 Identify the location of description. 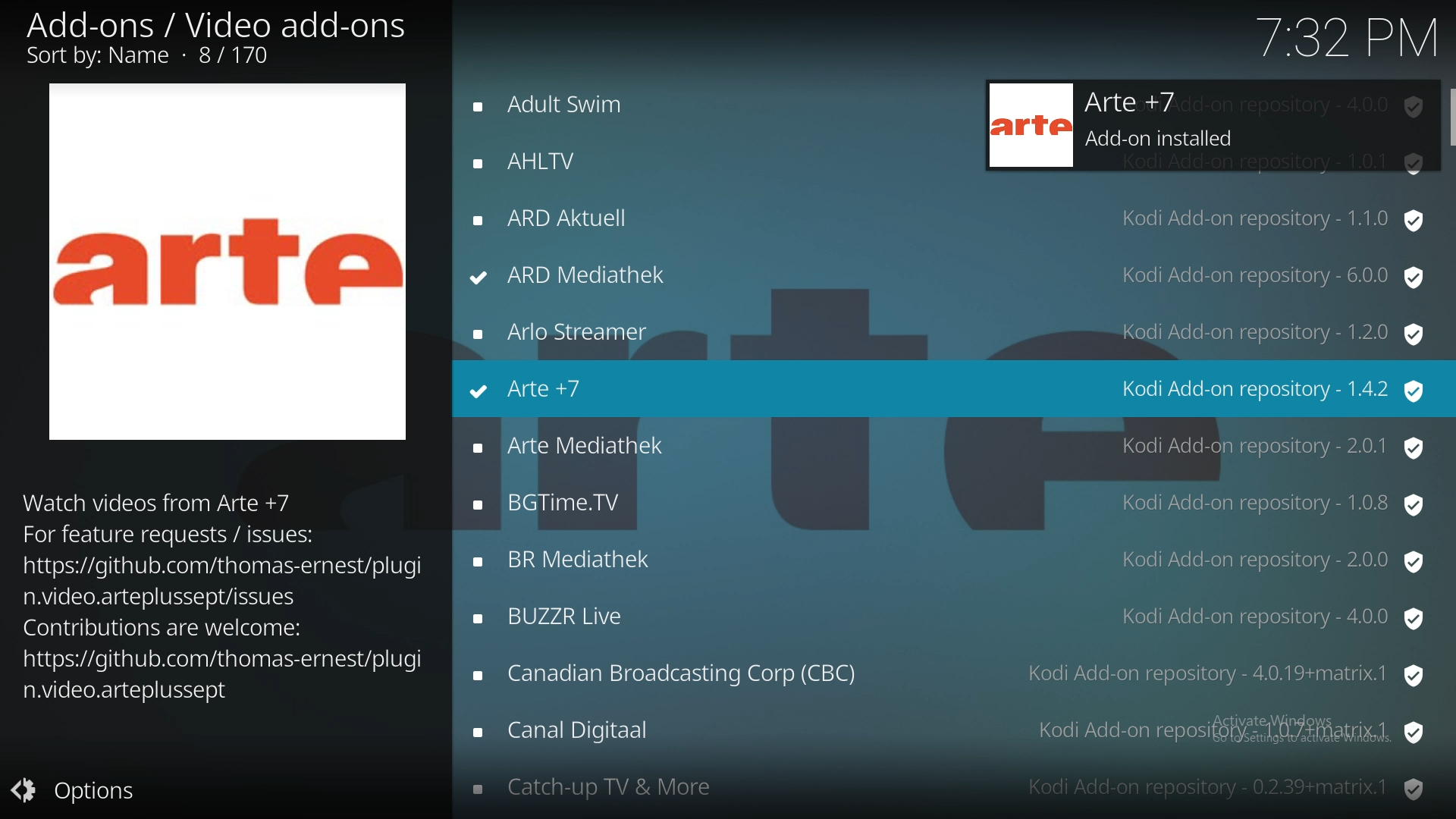
(221, 595).